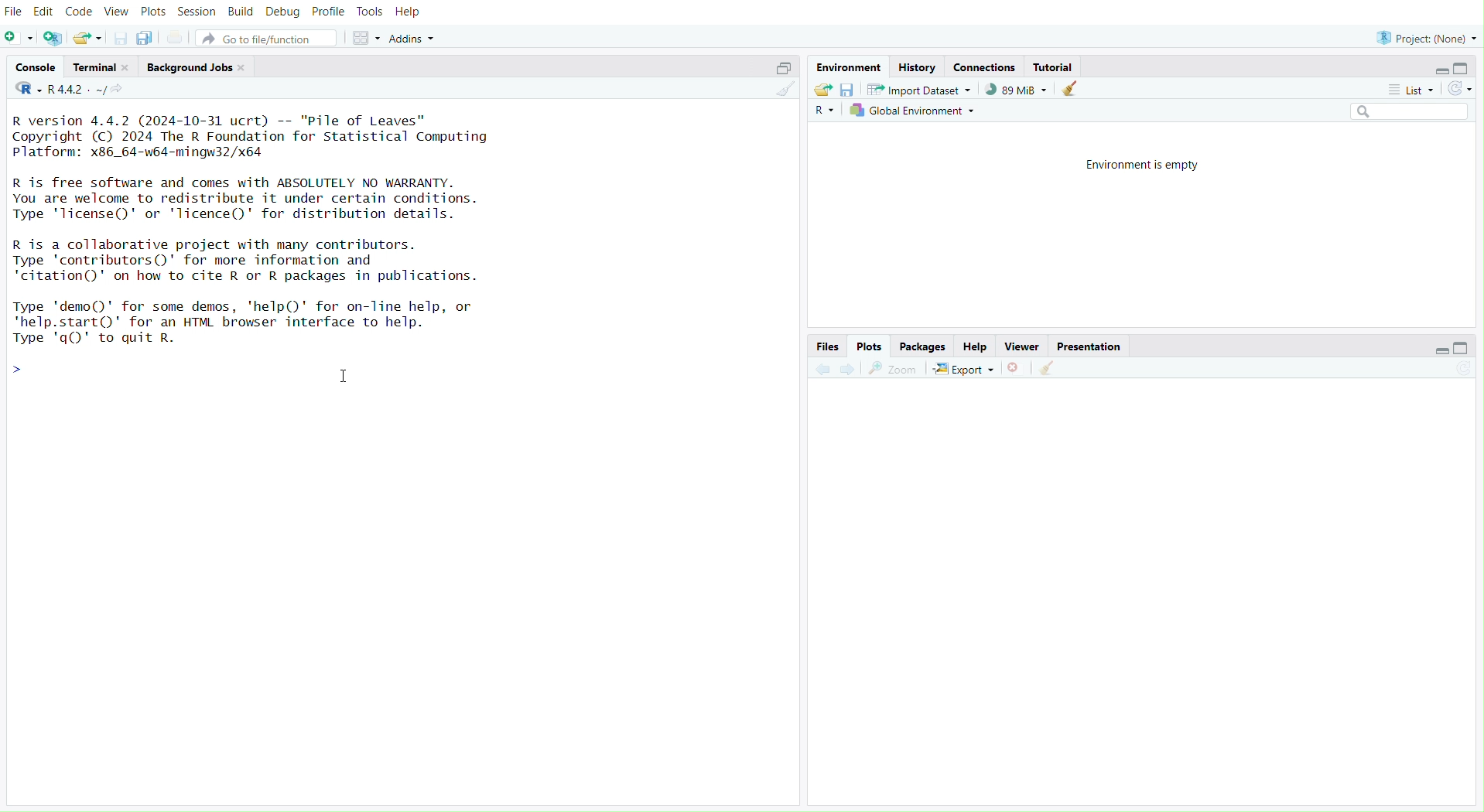  What do you see at coordinates (115, 12) in the screenshot?
I see `View` at bounding box center [115, 12].